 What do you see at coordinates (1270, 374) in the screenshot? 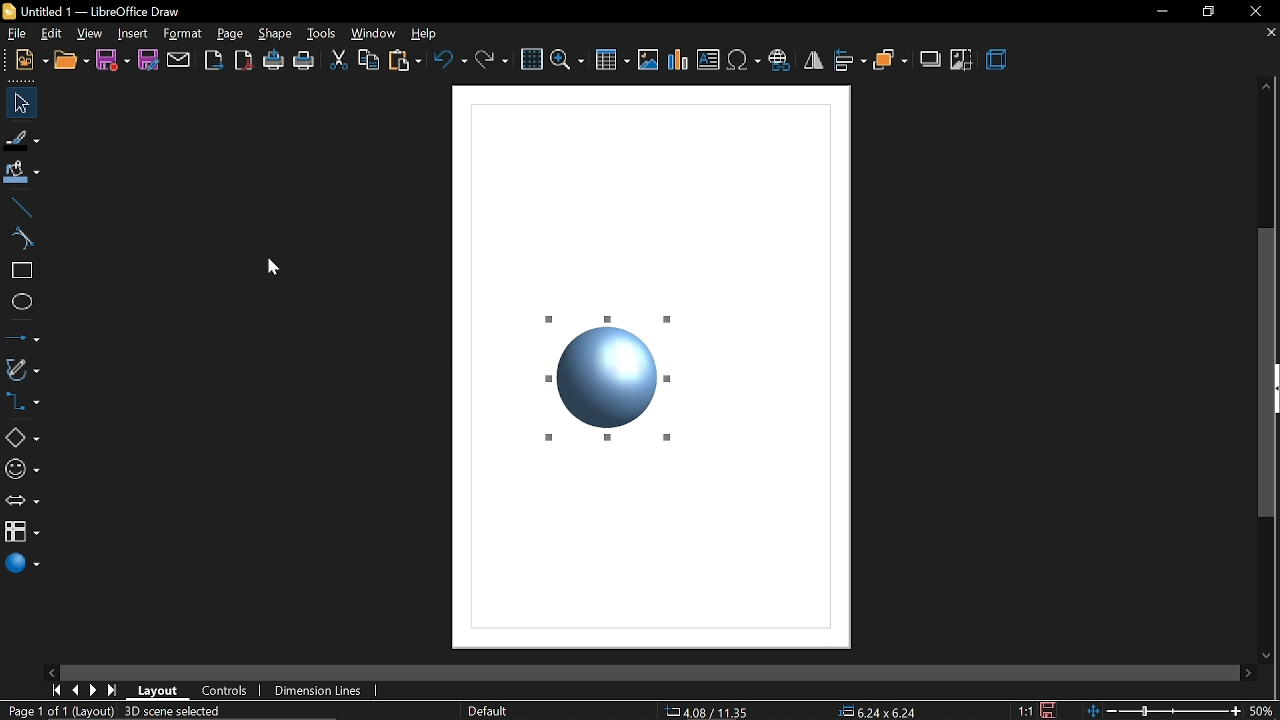
I see `Vertical scrollbar` at bounding box center [1270, 374].